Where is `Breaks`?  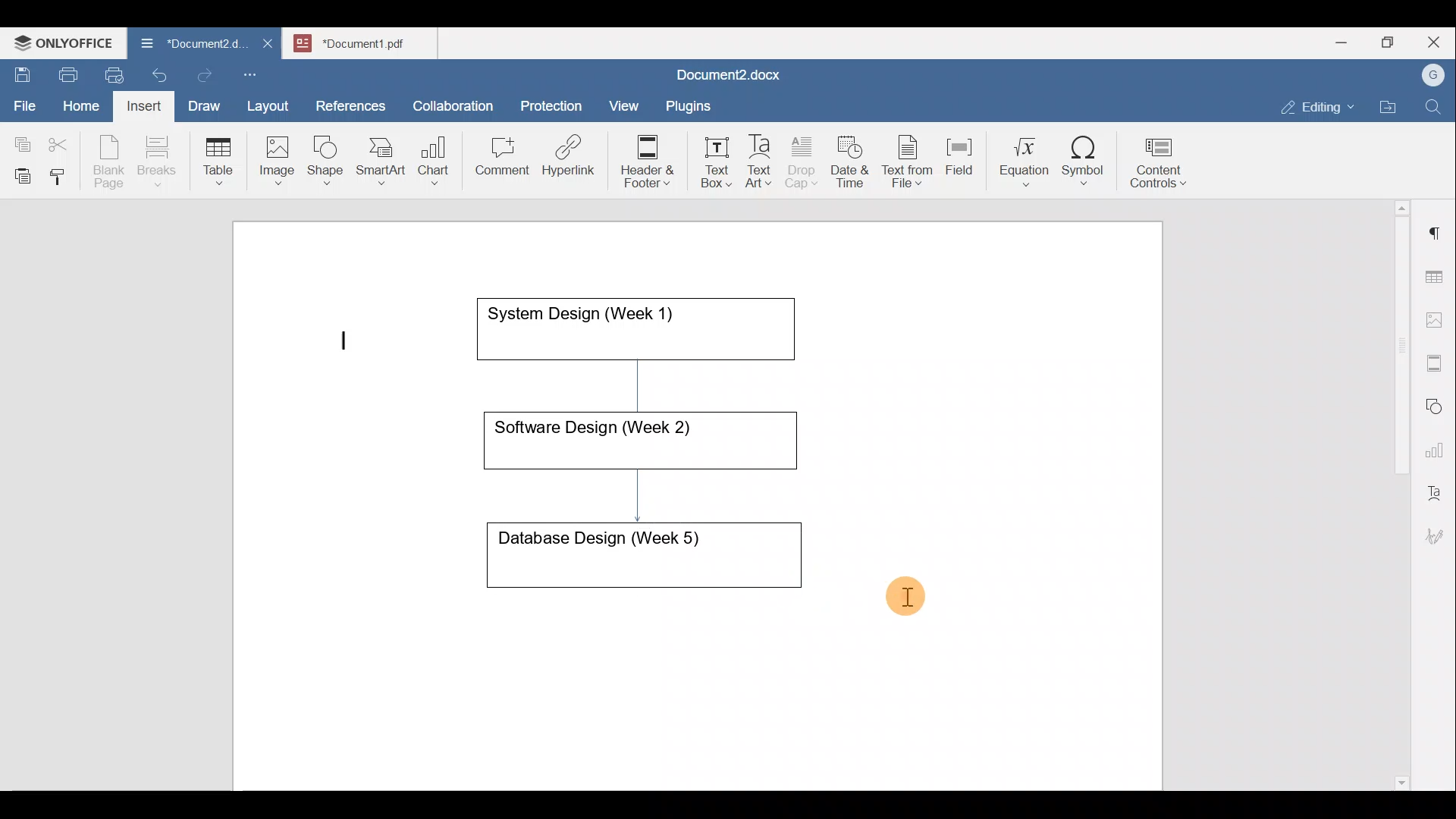
Breaks is located at coordinates (156, 162).